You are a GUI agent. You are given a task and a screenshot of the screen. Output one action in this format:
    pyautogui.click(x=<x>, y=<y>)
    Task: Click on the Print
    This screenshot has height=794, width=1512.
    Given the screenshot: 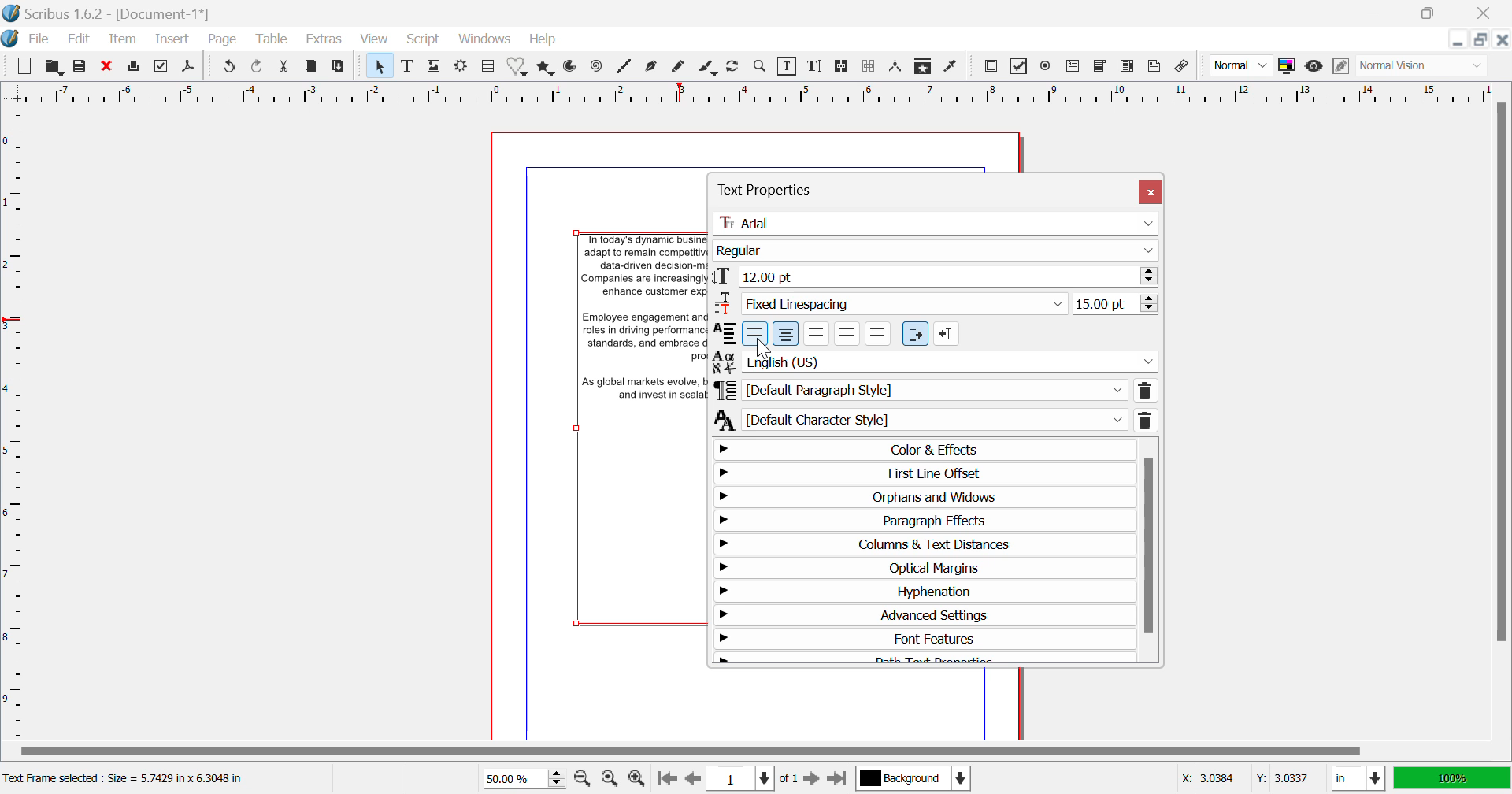 What is the action you would take?
    pyautogui.click(x=136, y=67)
    